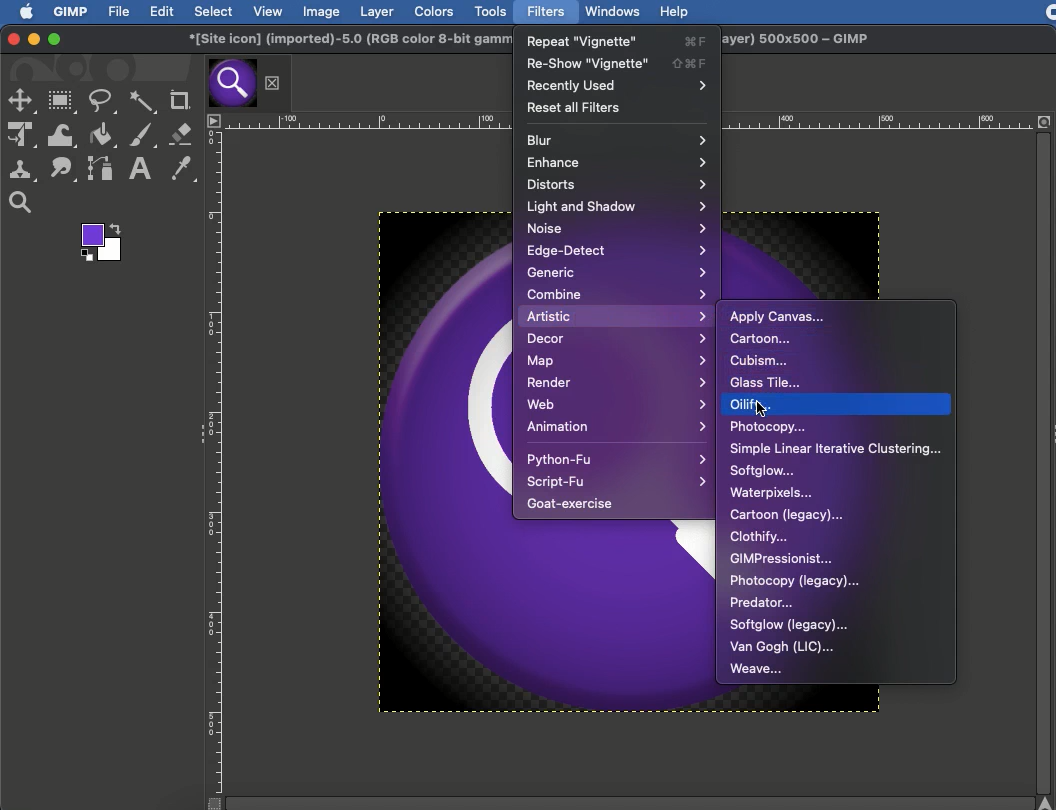 The height and width of the screenshot is (810, 1056). I want to click on Recording, so click(1050, 13).